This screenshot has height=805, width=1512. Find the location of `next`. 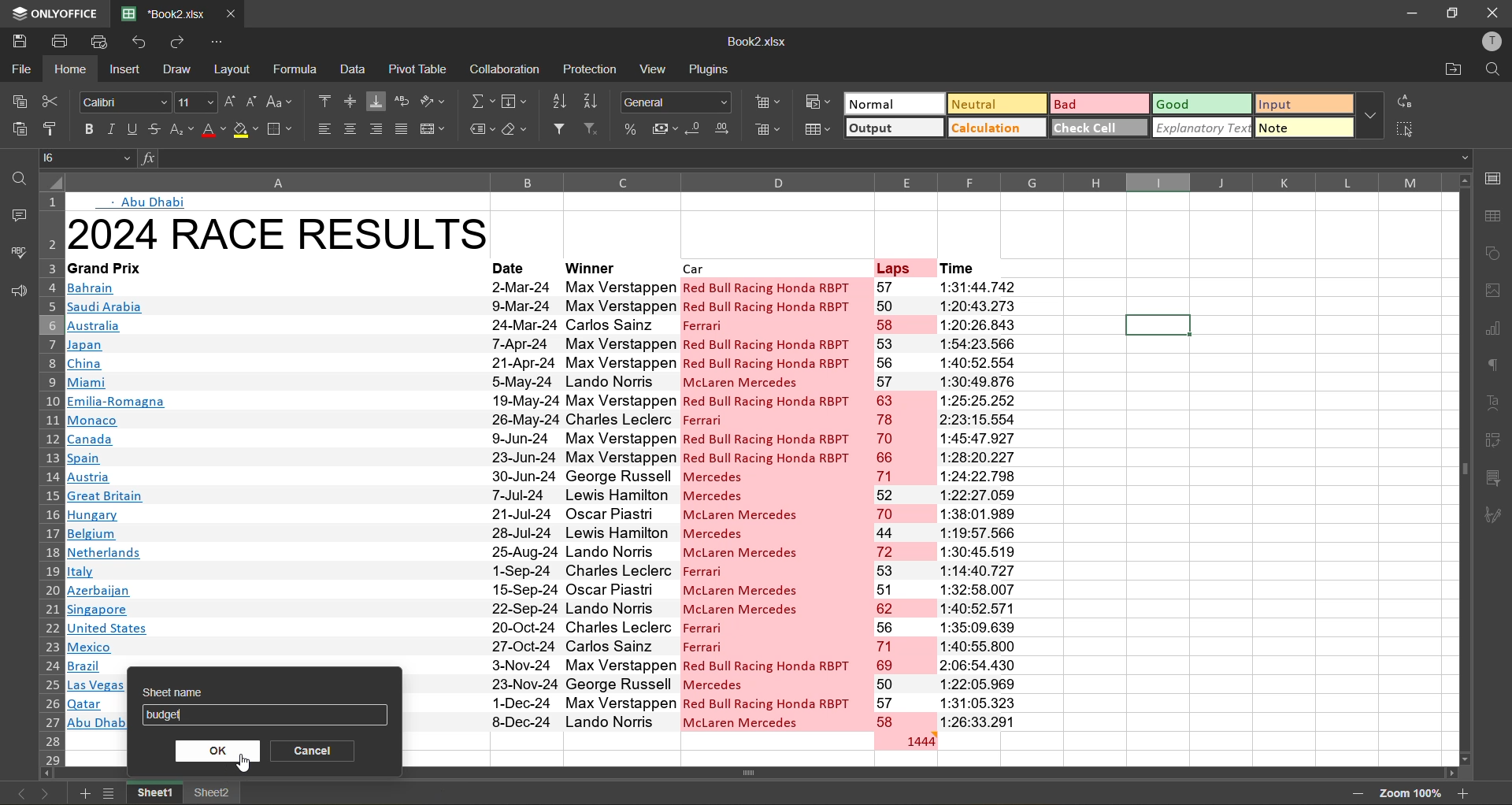

next is located at coordinates (48, 791).